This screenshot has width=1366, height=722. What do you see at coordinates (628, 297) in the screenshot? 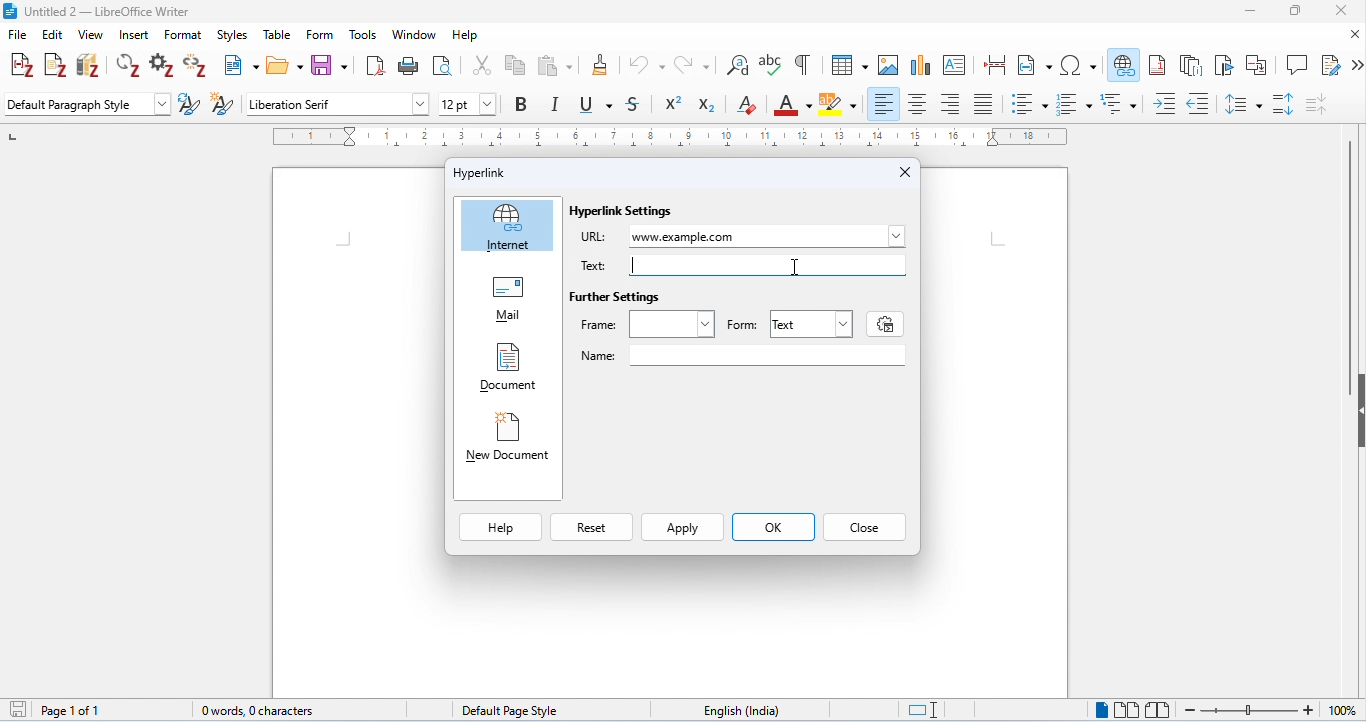
I see `Further Settings` at bounding box center [628, 297].